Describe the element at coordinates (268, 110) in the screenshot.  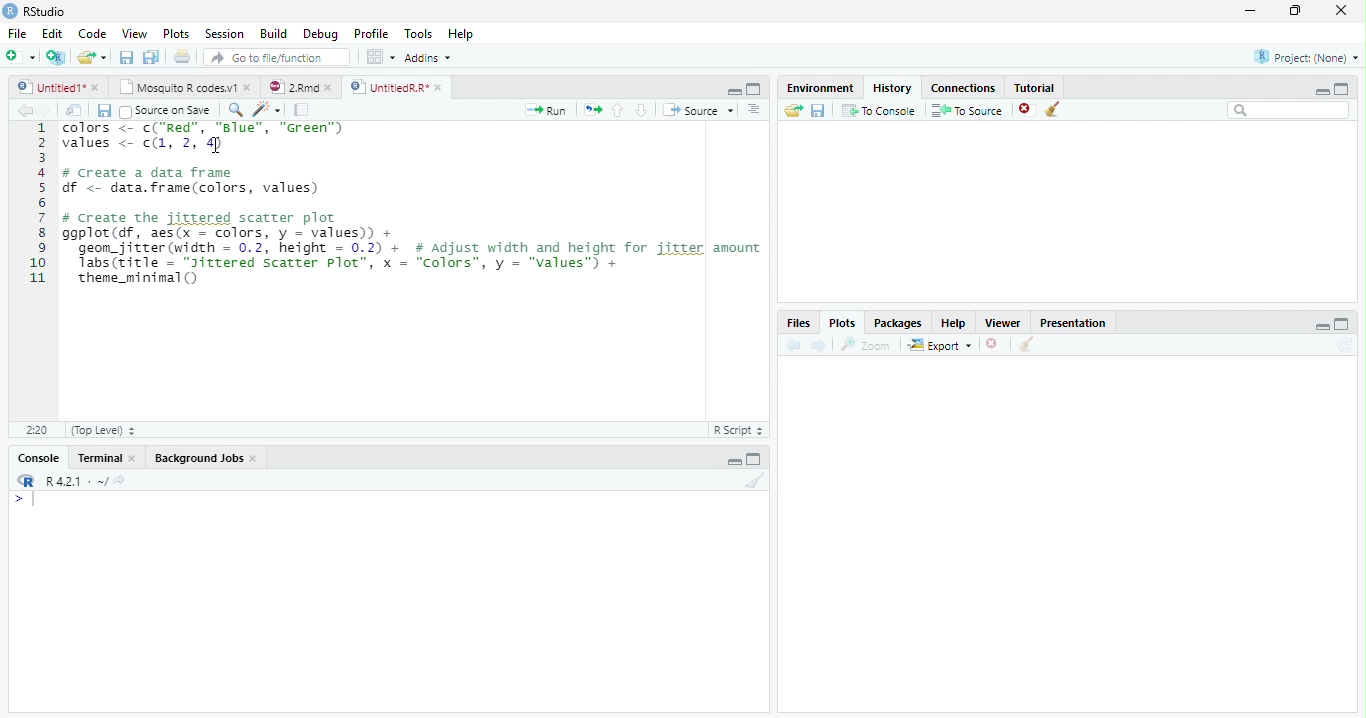
I see `Code tools` at that location.